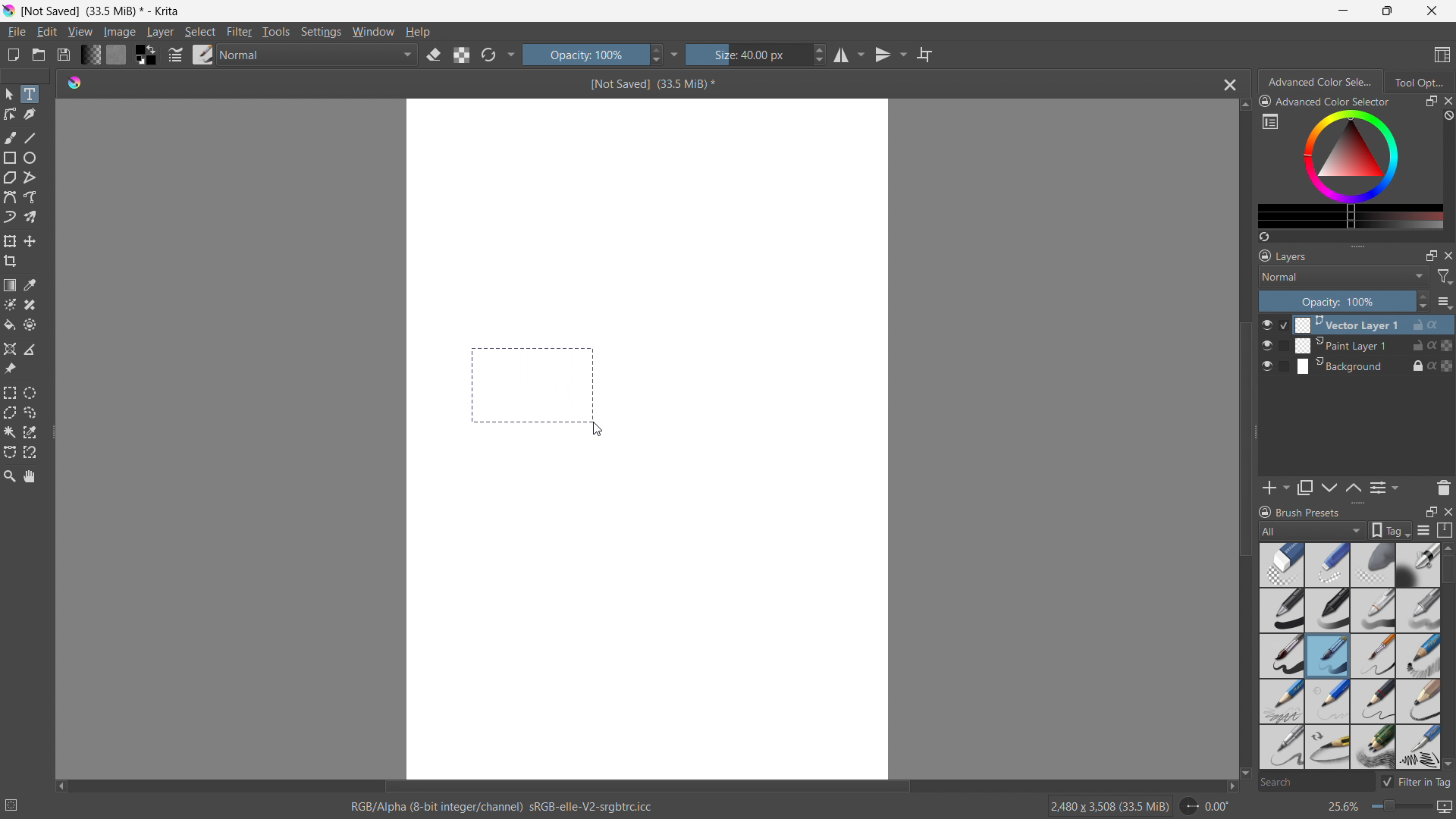 The height and width of the screenshot is (819, 1456). I want to click on dynamic brush tool, so click(10, 218).